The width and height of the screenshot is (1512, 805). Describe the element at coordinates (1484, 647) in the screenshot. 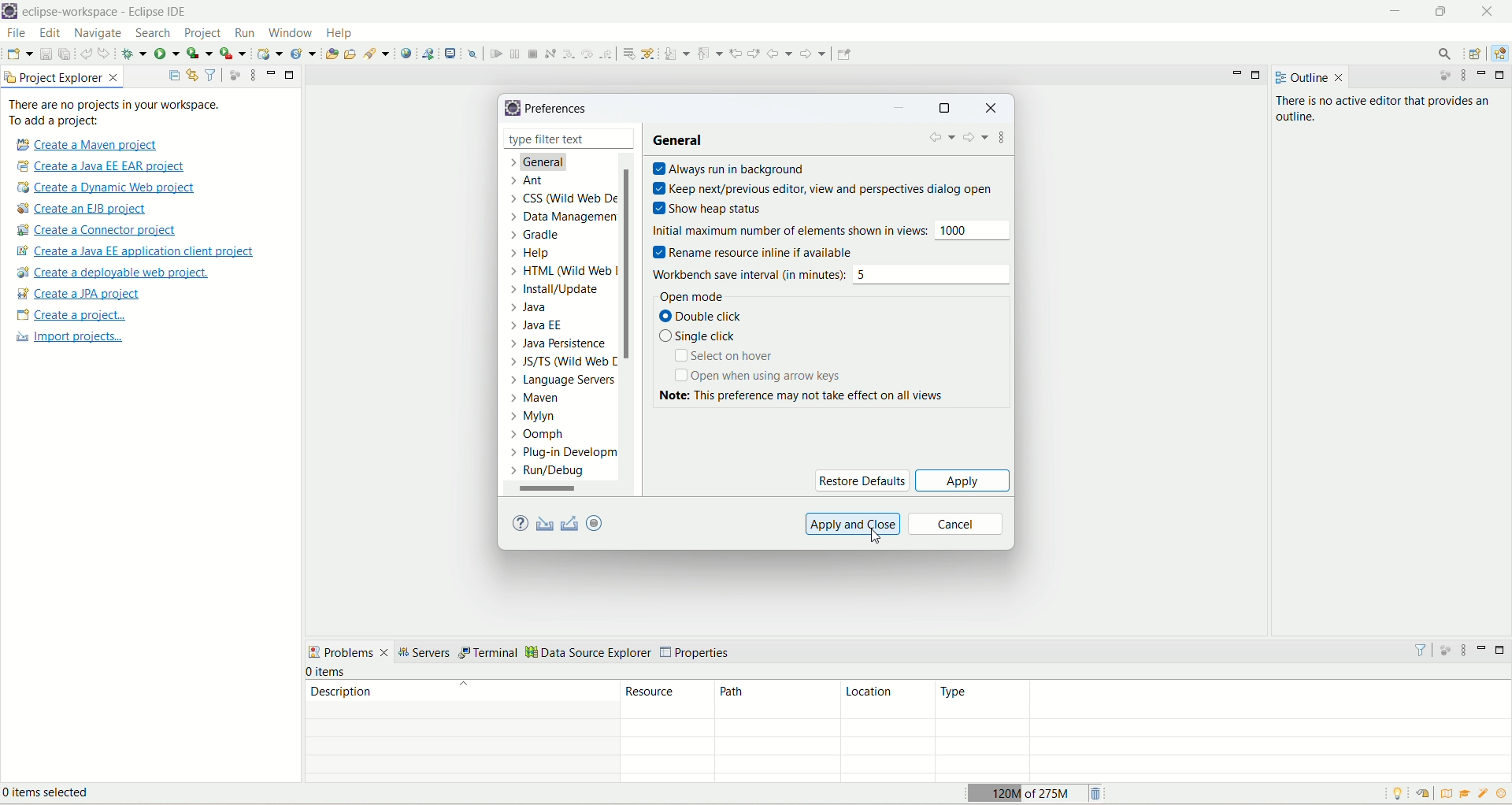

I see `minimize` at that location.